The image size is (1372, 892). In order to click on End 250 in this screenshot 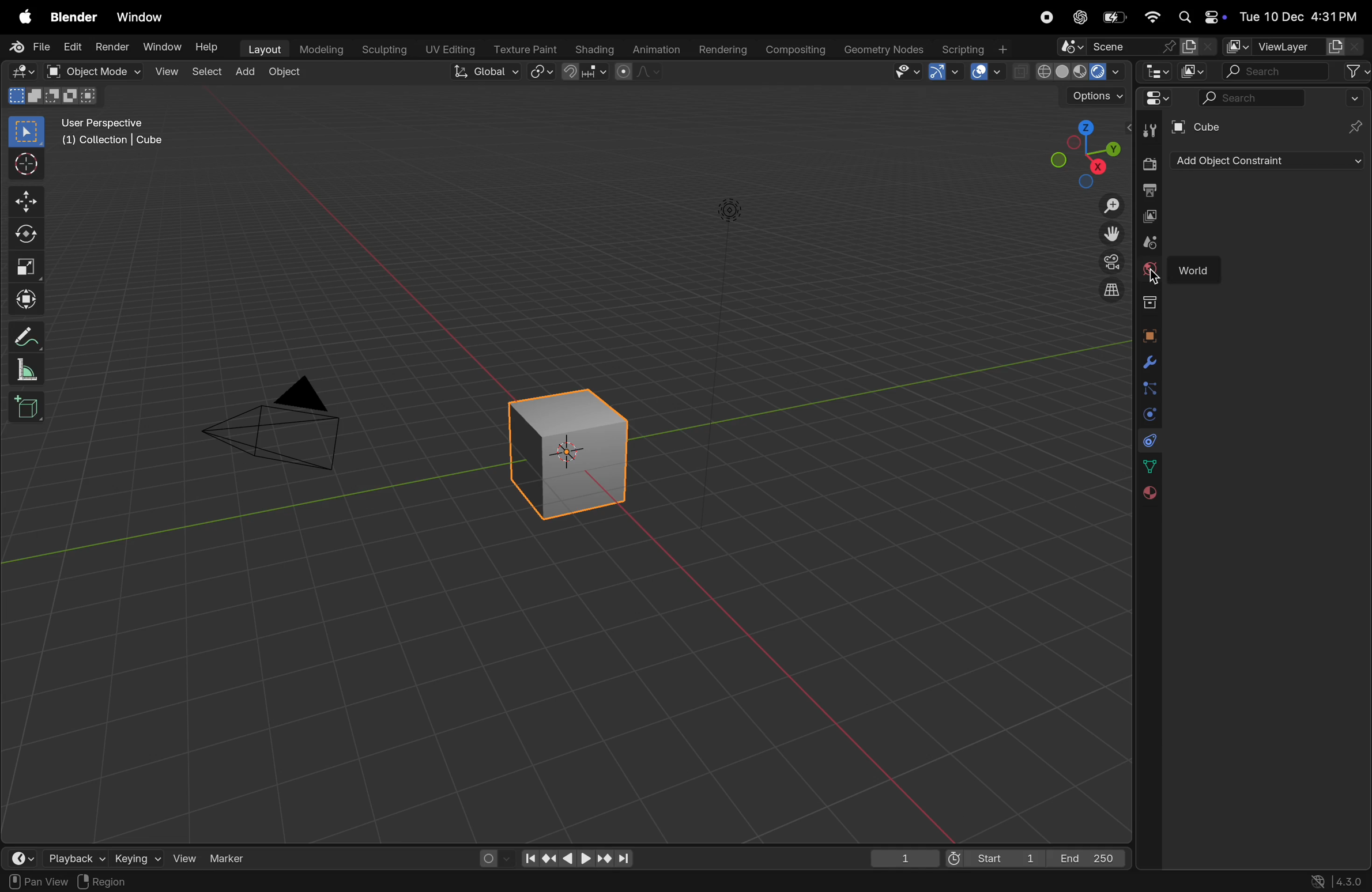, I will do `click(1088, 857)`.